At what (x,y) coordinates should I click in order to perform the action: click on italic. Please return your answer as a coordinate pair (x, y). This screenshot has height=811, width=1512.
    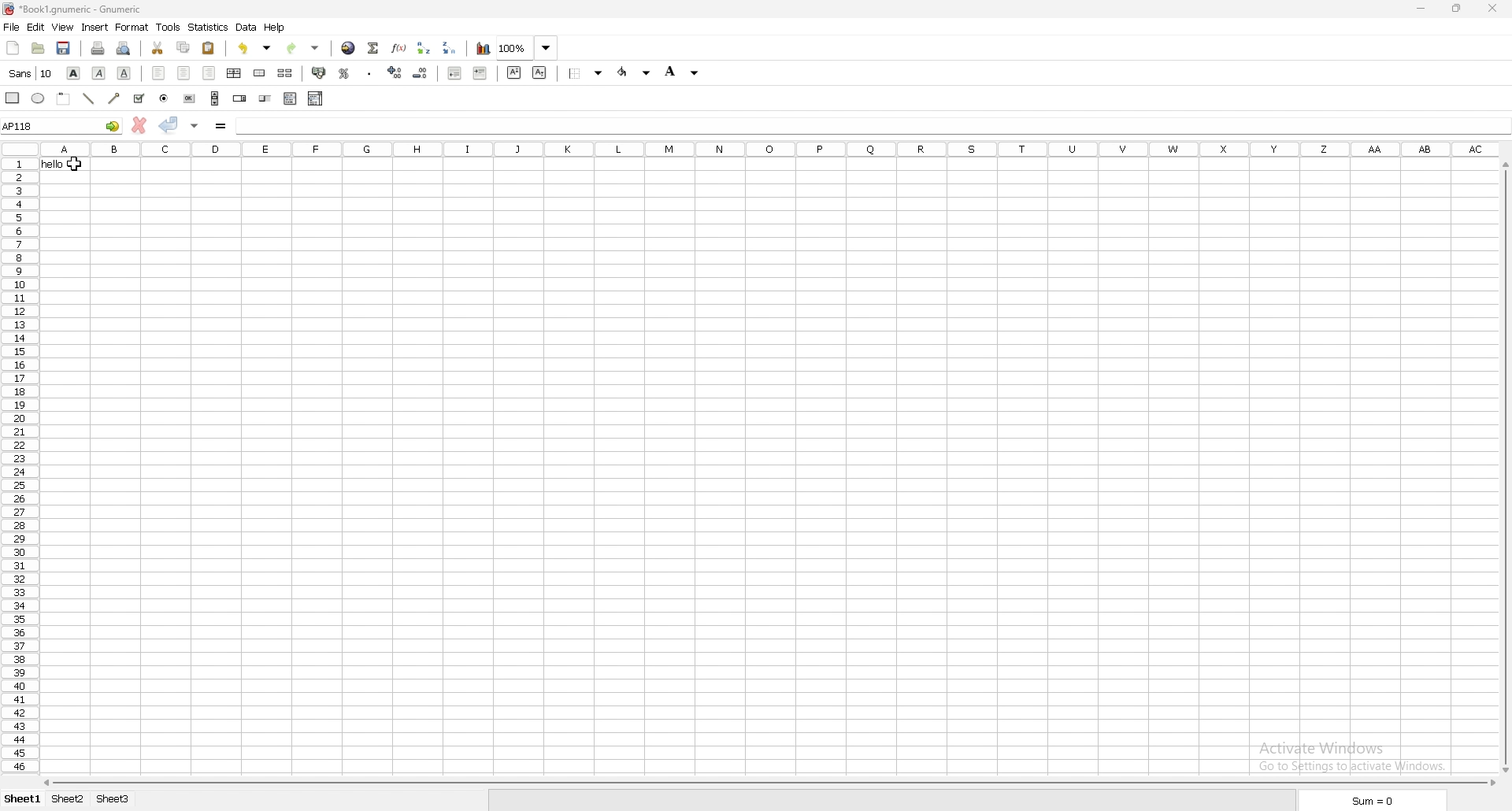
    Looking at the image, I should click on (100, 73).